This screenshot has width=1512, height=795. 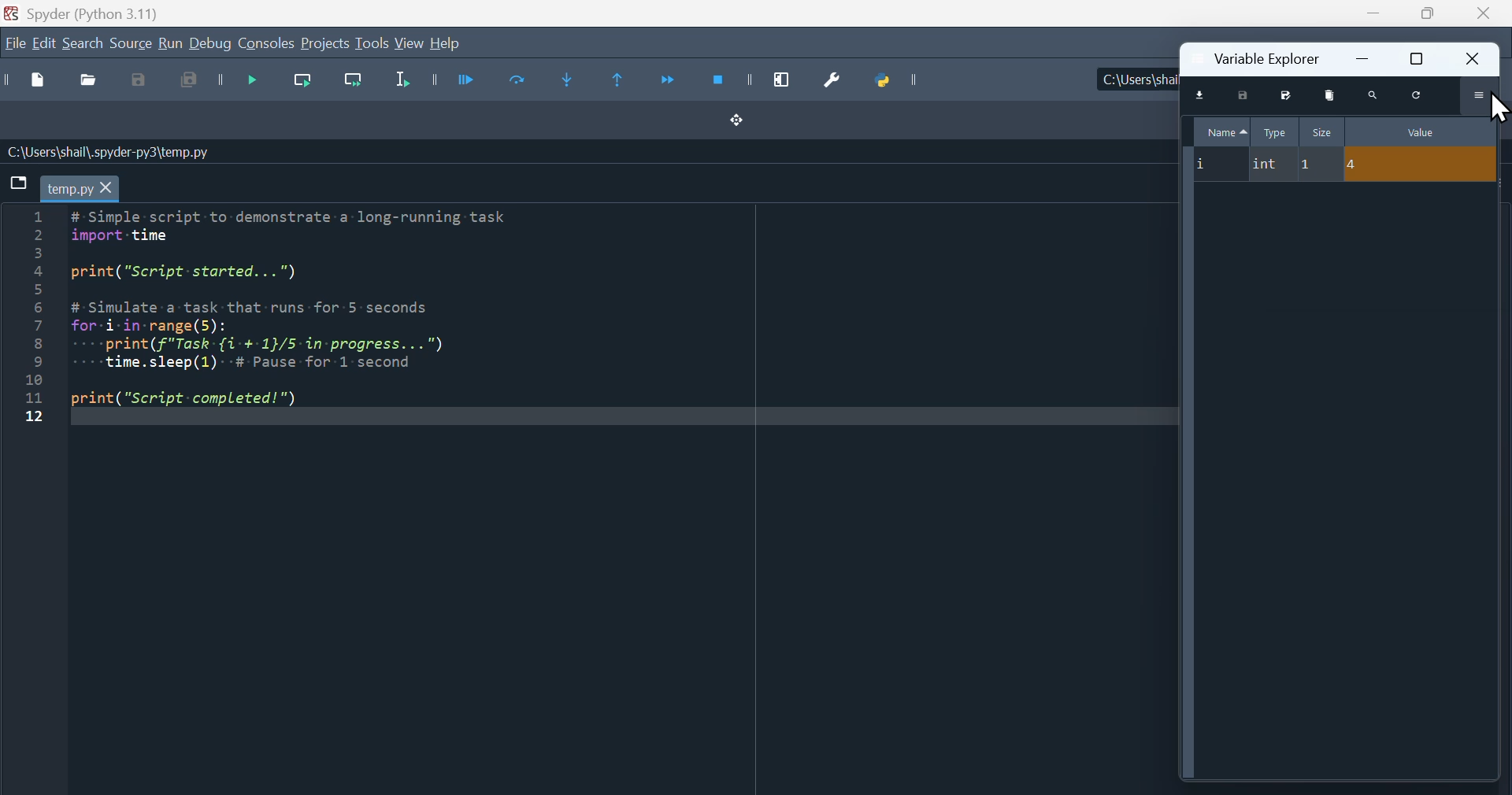 I want to click on Maximise, so click(x=1424, y=13).